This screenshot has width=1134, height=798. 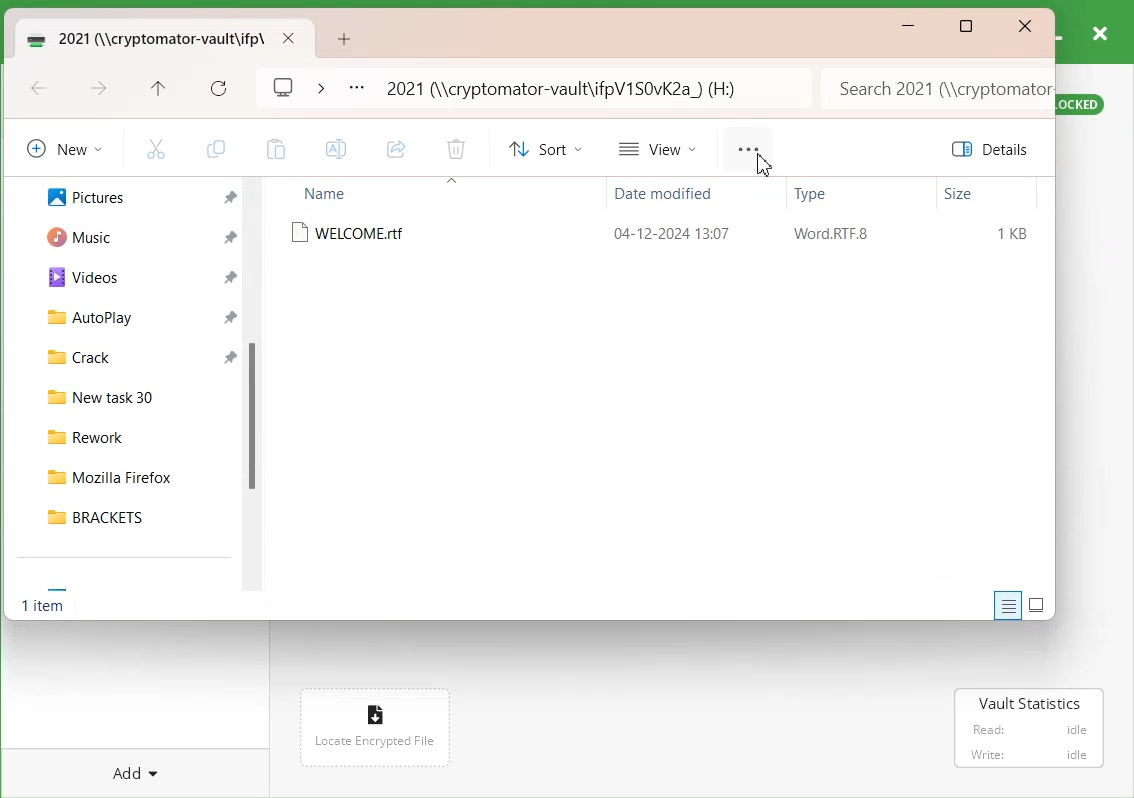 I want to click on Logo, so click(x=284, y=85).